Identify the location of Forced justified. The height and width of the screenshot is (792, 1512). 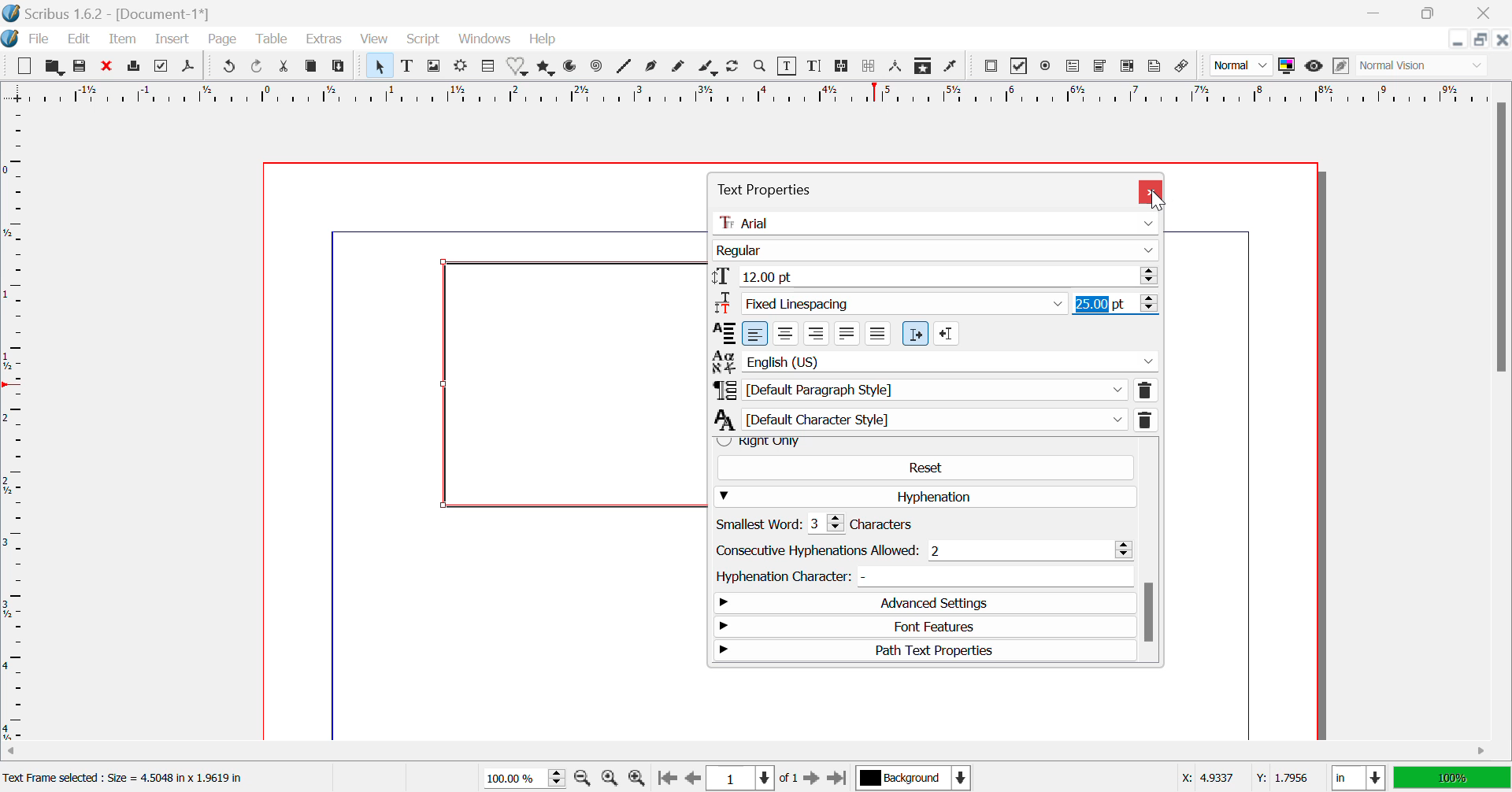
(878, 334).